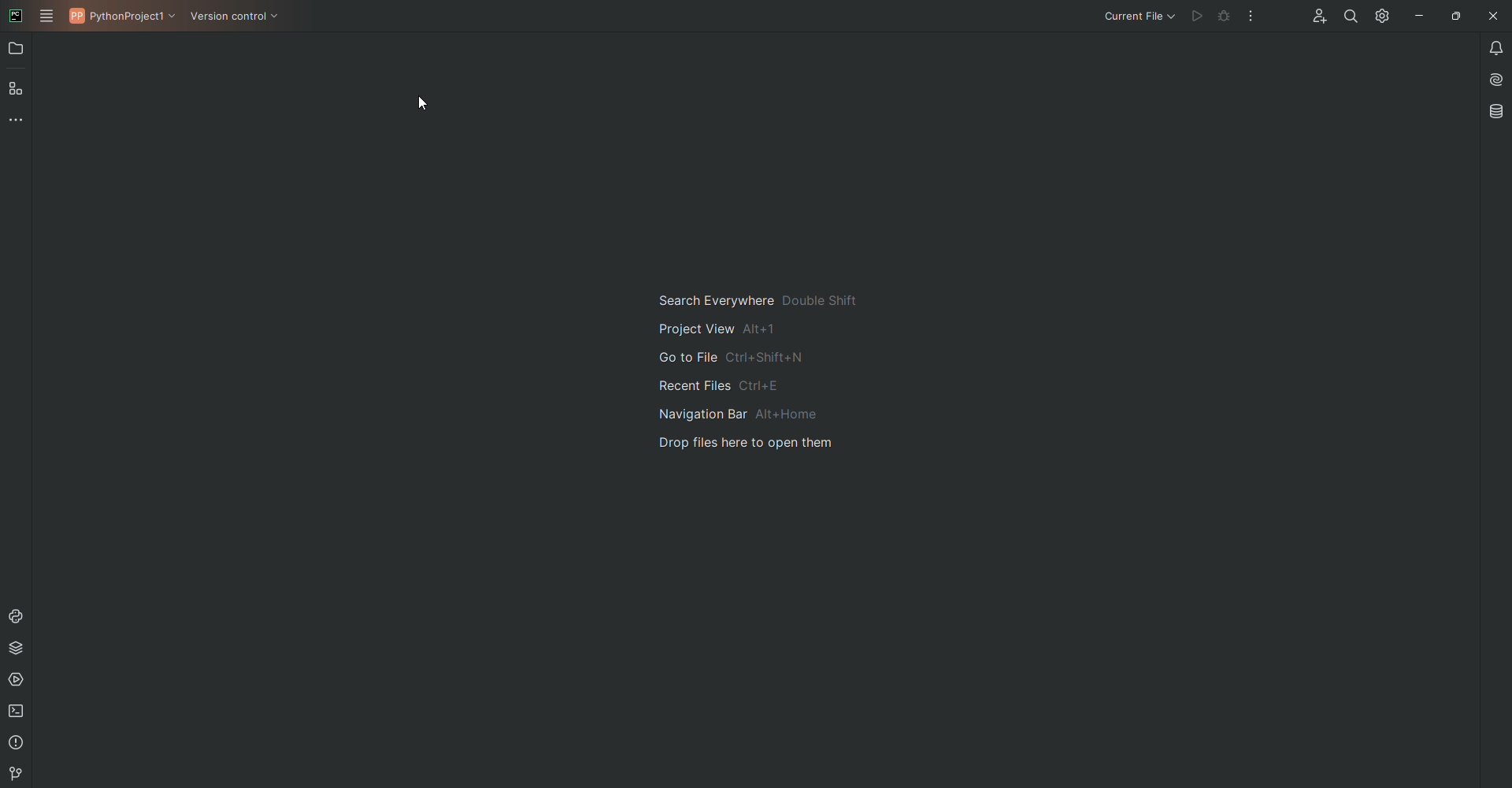  What do you see at coordinates (241, 17) in the screenshot?
I see `Version Control` at bounding box center [241, 17].